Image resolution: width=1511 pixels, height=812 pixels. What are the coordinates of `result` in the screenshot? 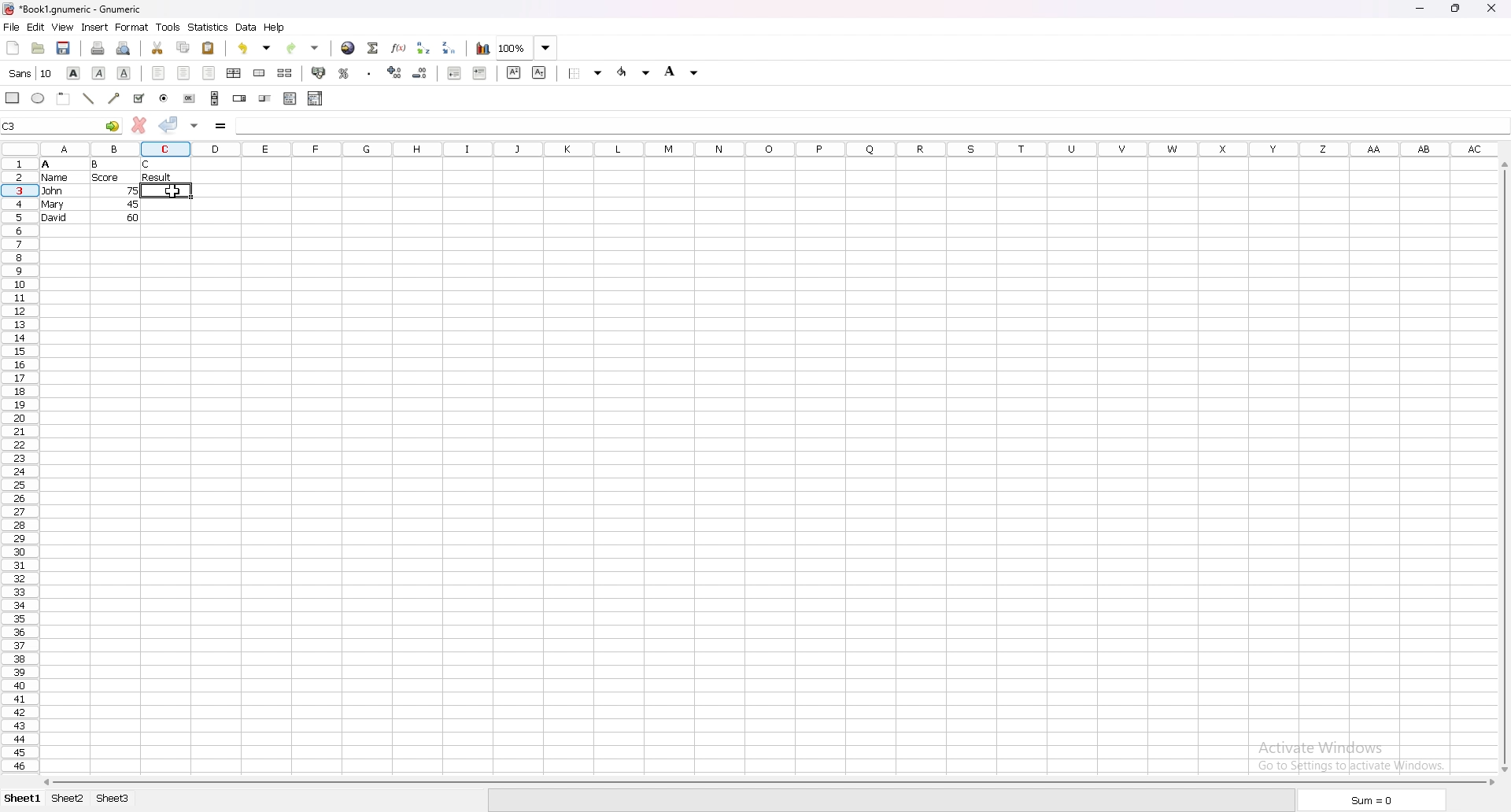 It's located at (157, 177).